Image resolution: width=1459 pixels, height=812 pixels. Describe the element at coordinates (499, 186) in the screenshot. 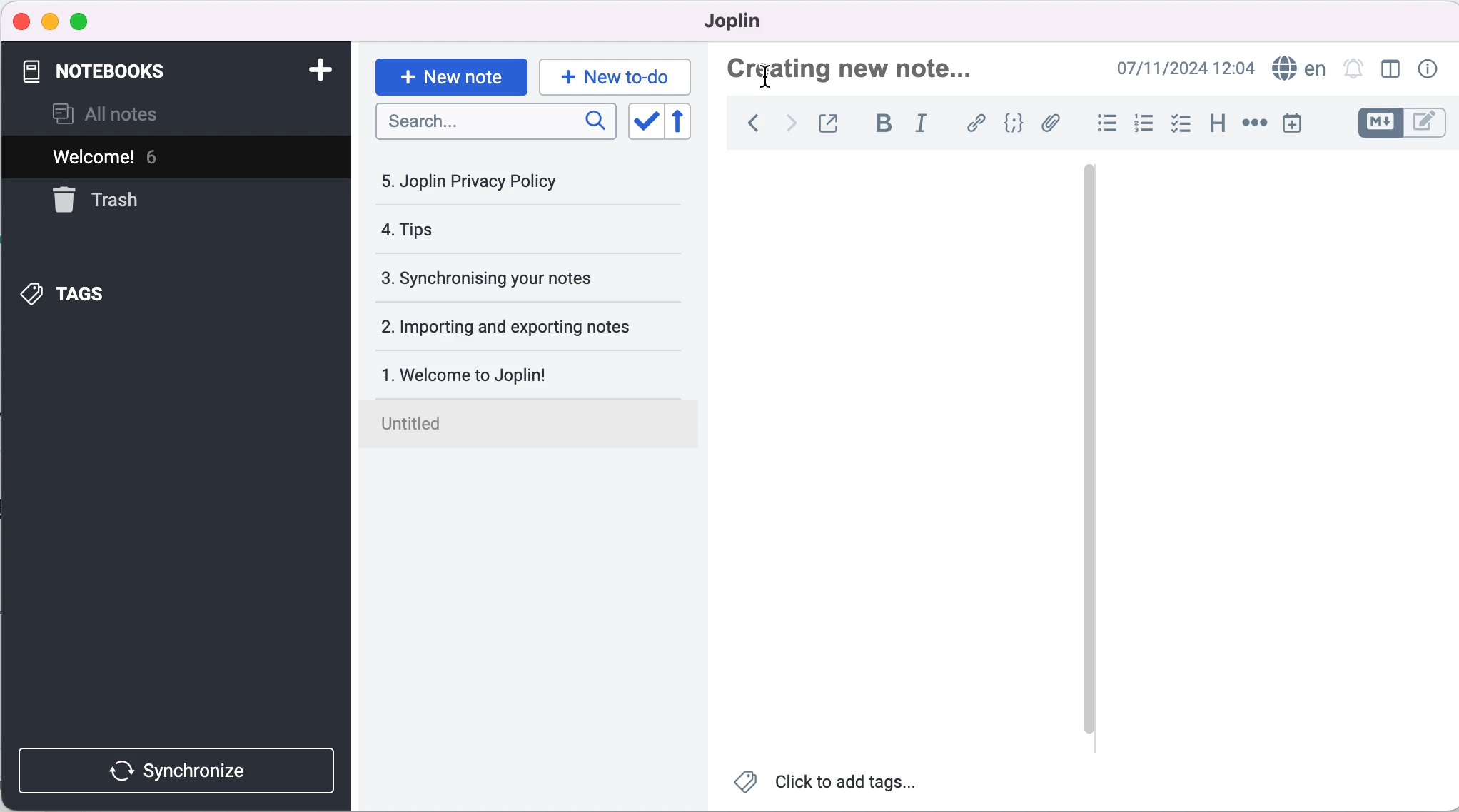

I see `joplin privacy policy` at that location.